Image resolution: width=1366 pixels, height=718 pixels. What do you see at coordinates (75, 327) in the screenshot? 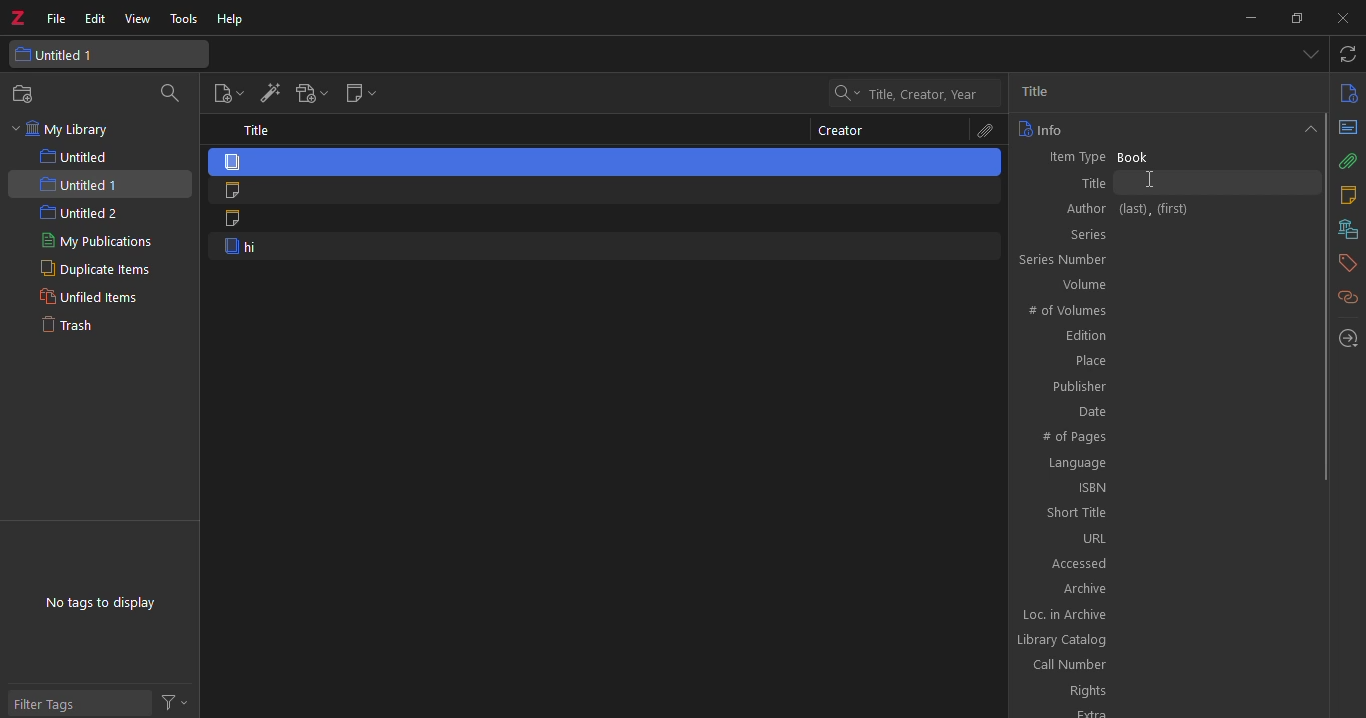
I see `trash` at bounding box center [75, 327].